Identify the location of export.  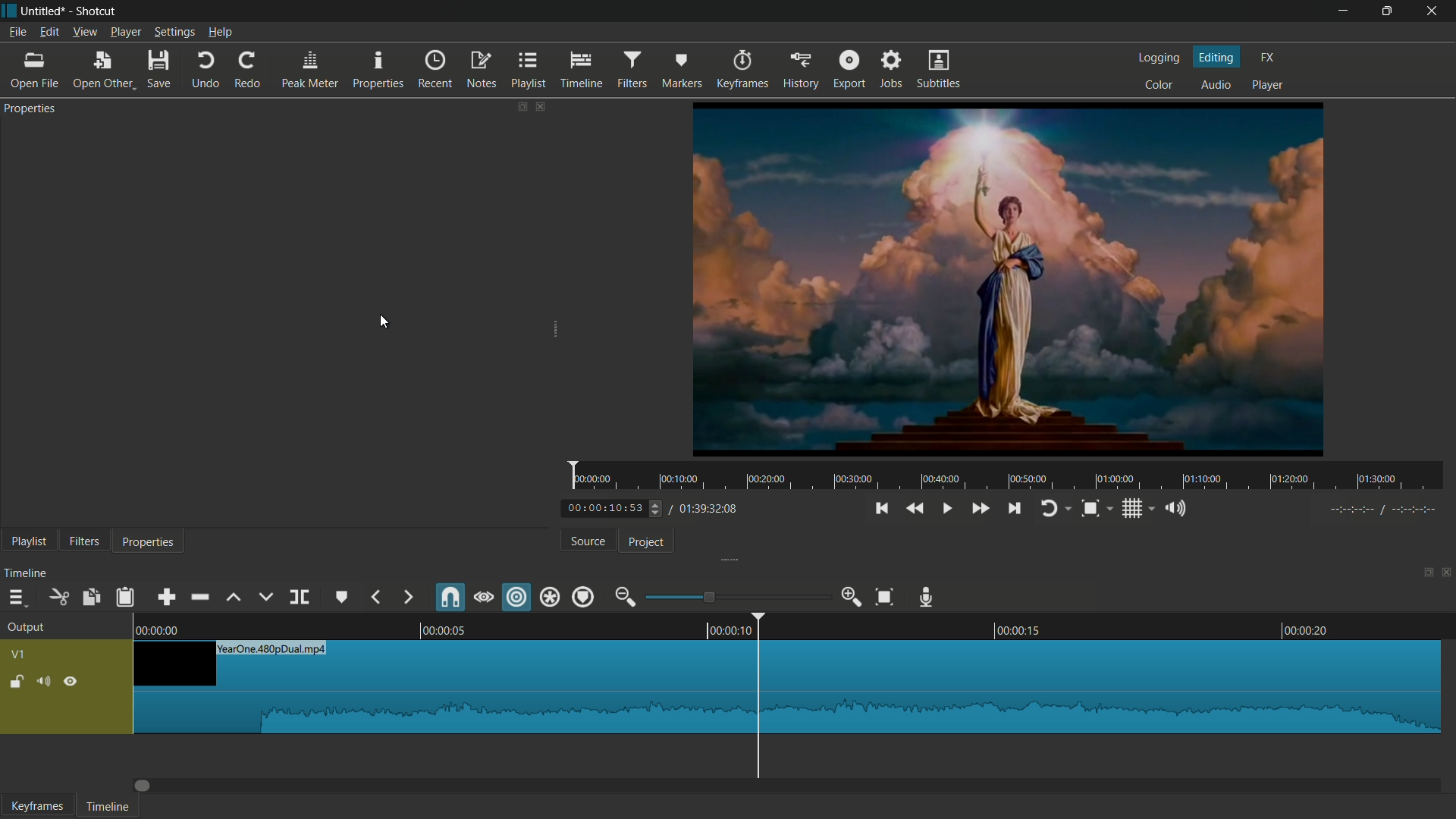
(851, 70).